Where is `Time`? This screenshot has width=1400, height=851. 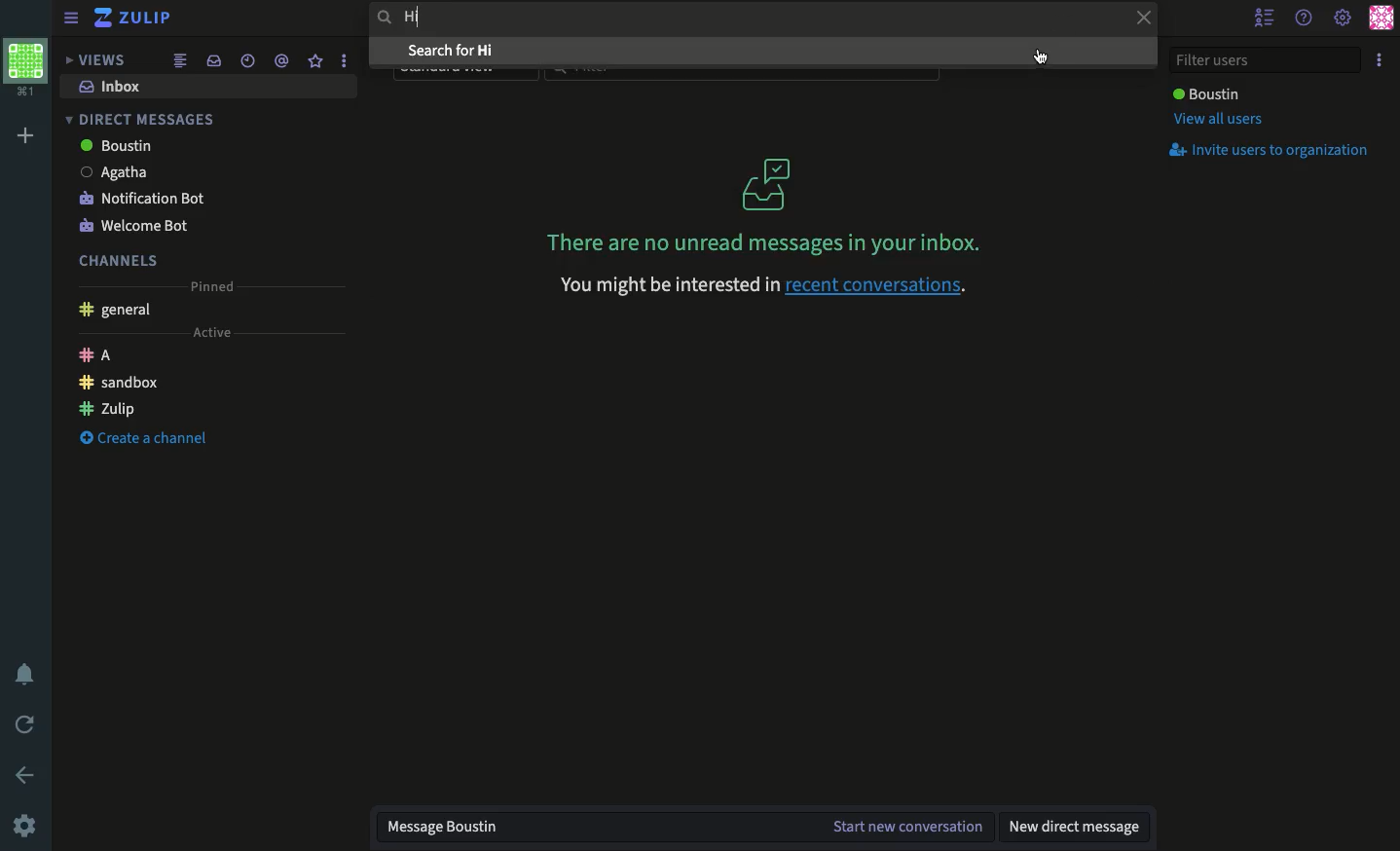 Time is located at coordinates (245, 60).